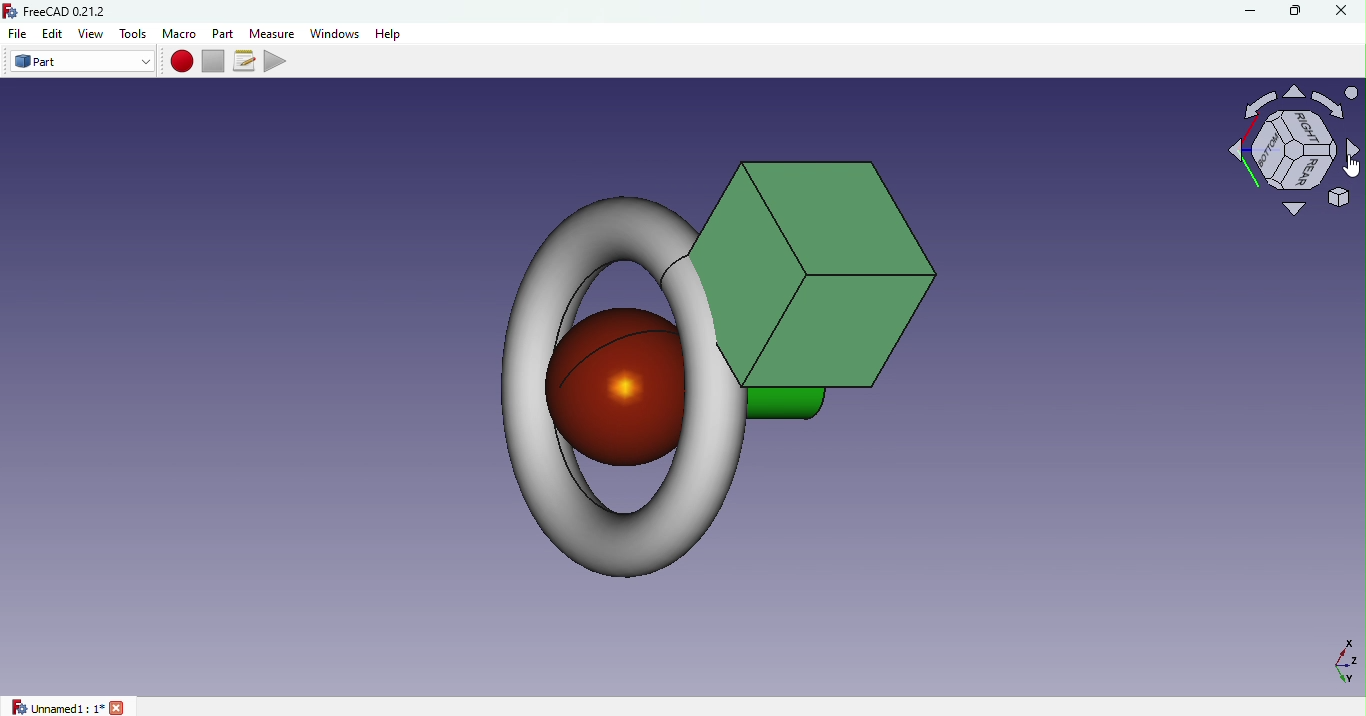  Describe the element at coordinates (1251, 11) in the screenshot. I see `Minimize` at that location.